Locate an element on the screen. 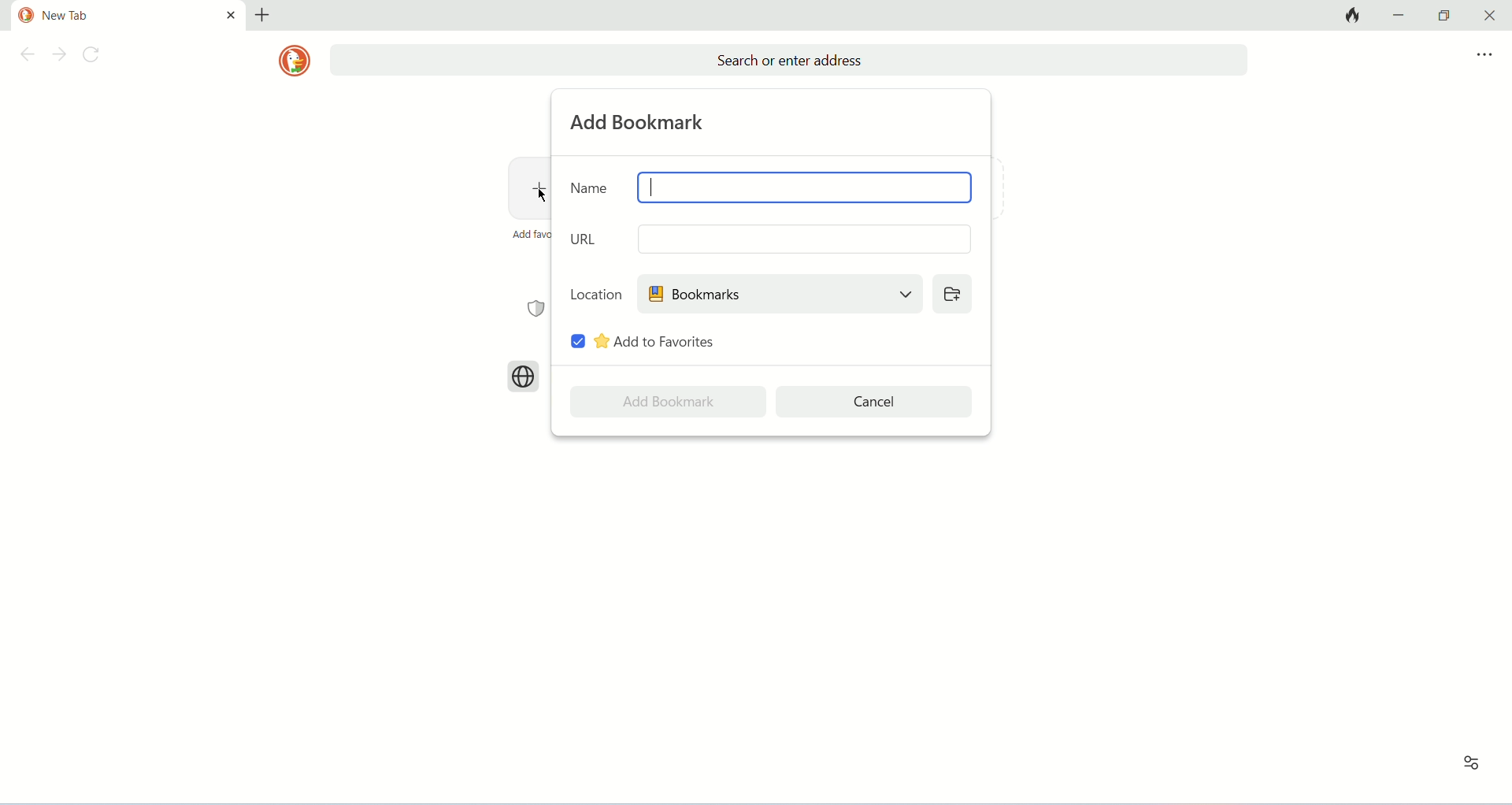  URL is located at coordinates (587, 239).